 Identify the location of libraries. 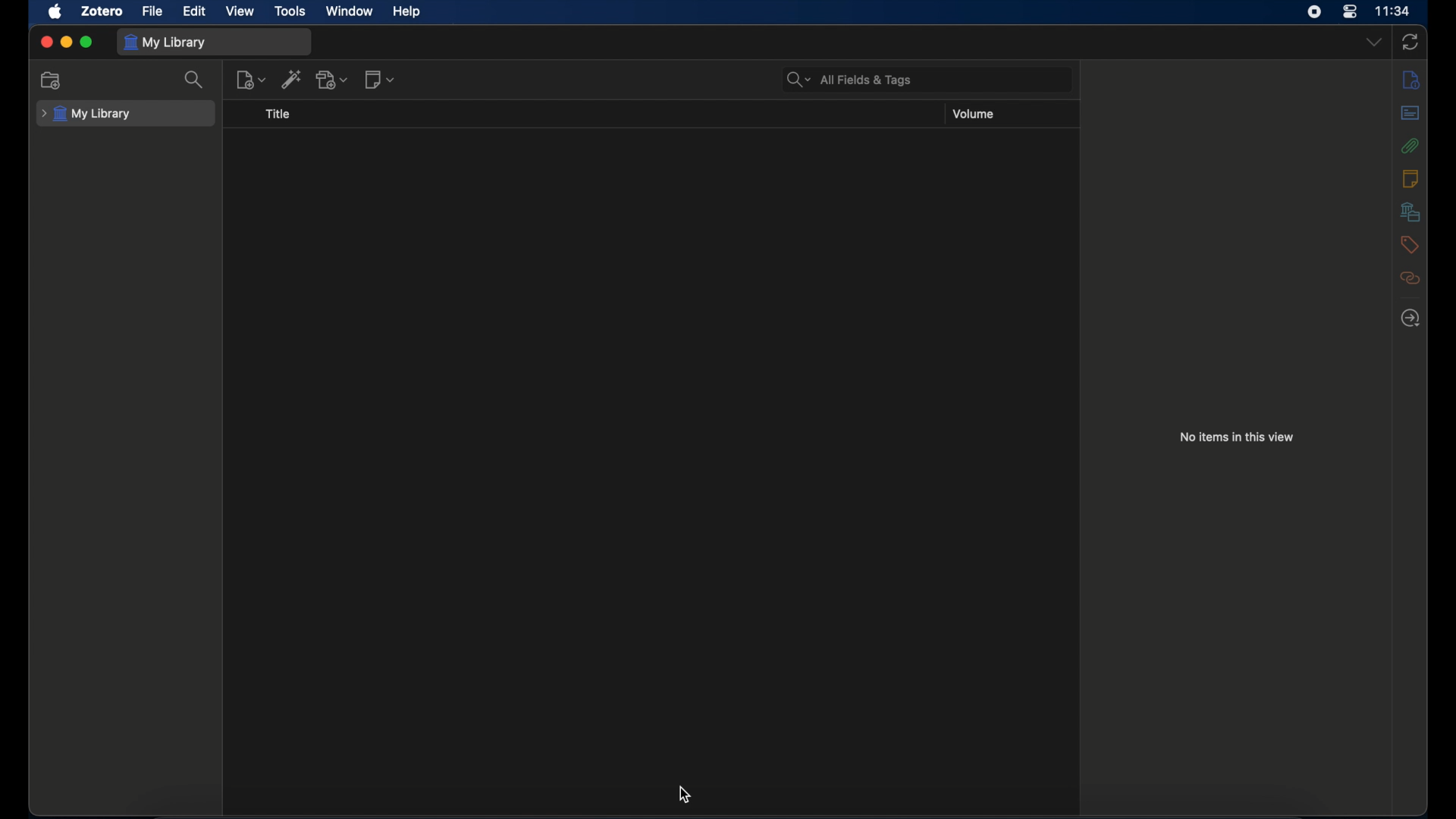
(1410, 212).